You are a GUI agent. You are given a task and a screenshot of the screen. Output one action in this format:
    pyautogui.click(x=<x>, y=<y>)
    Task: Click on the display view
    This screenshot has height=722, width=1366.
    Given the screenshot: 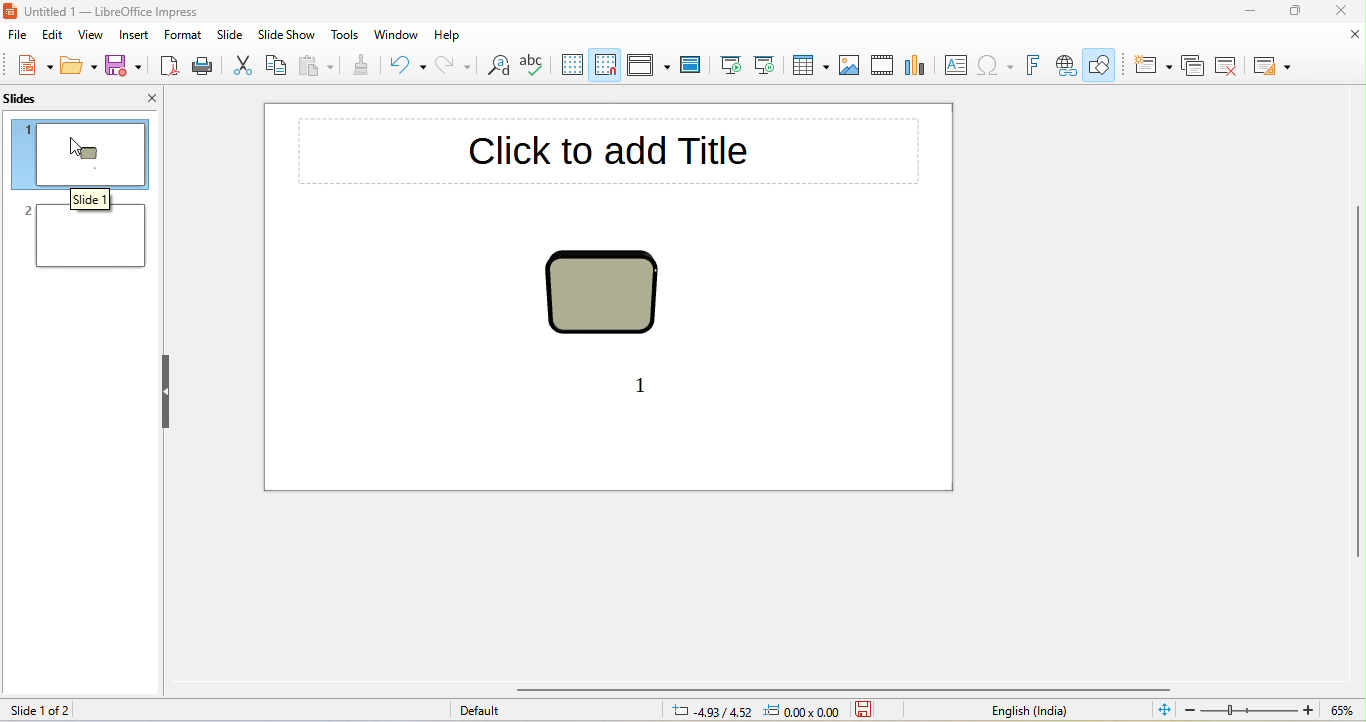 What is the action you would take?
    pyautogui.click(x=649, y=68)
    